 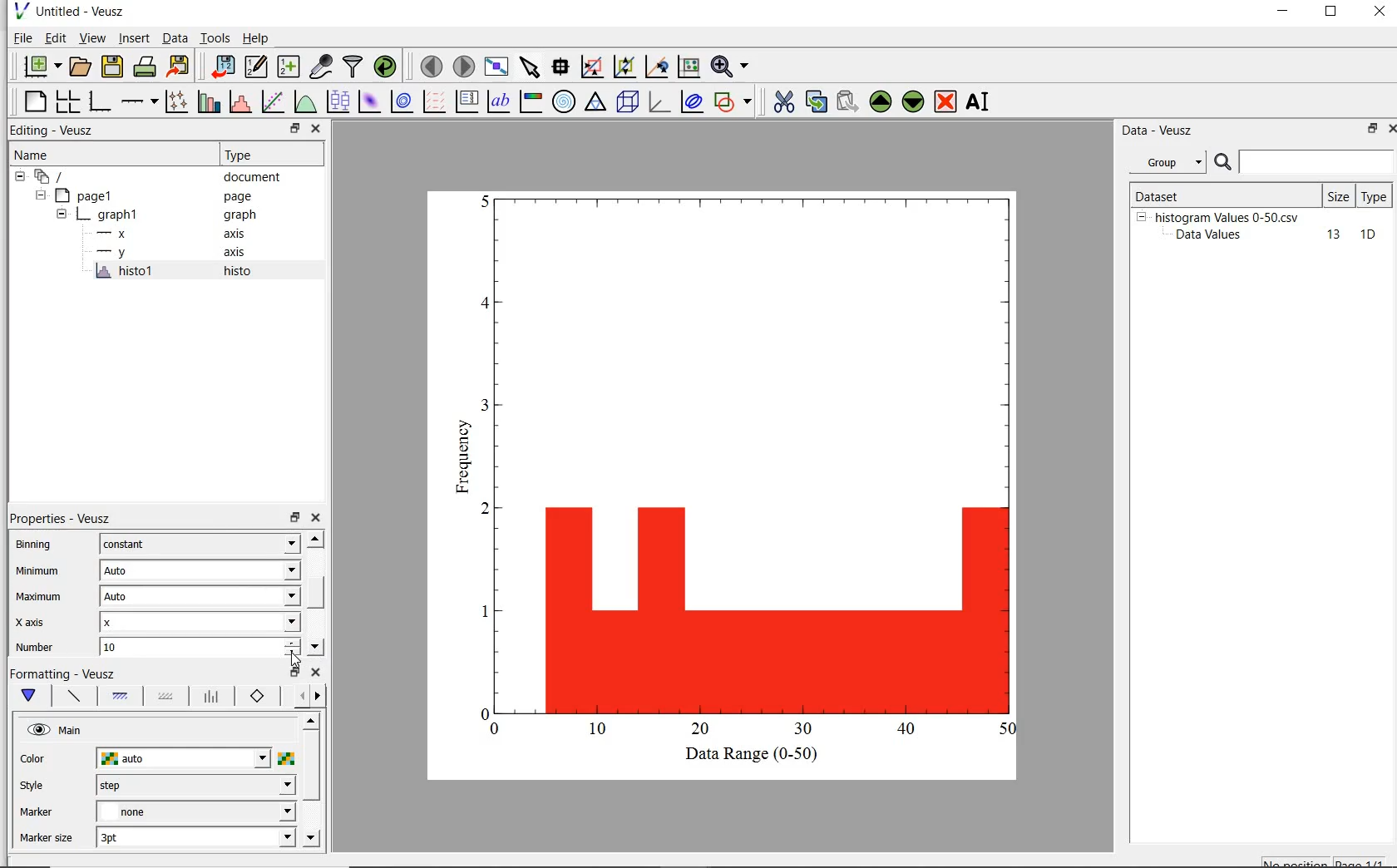 What do you see at coordinates (139, 100) in the screenshot?
I see `add axis on the plot` at bounding box center [139, 100].